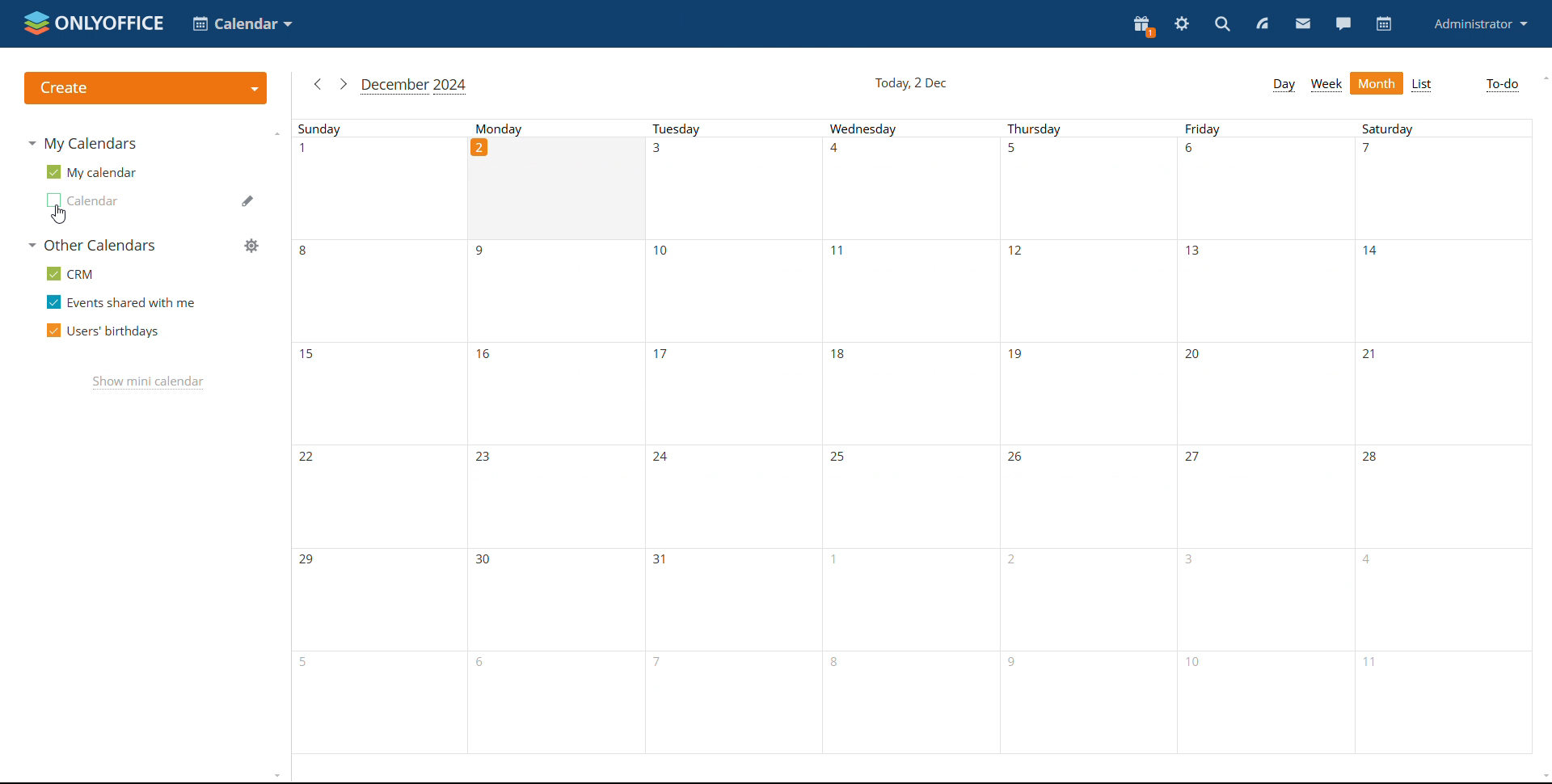 This screenshot has height=784, width=1552. I want to click on current date, so click(909, 84).